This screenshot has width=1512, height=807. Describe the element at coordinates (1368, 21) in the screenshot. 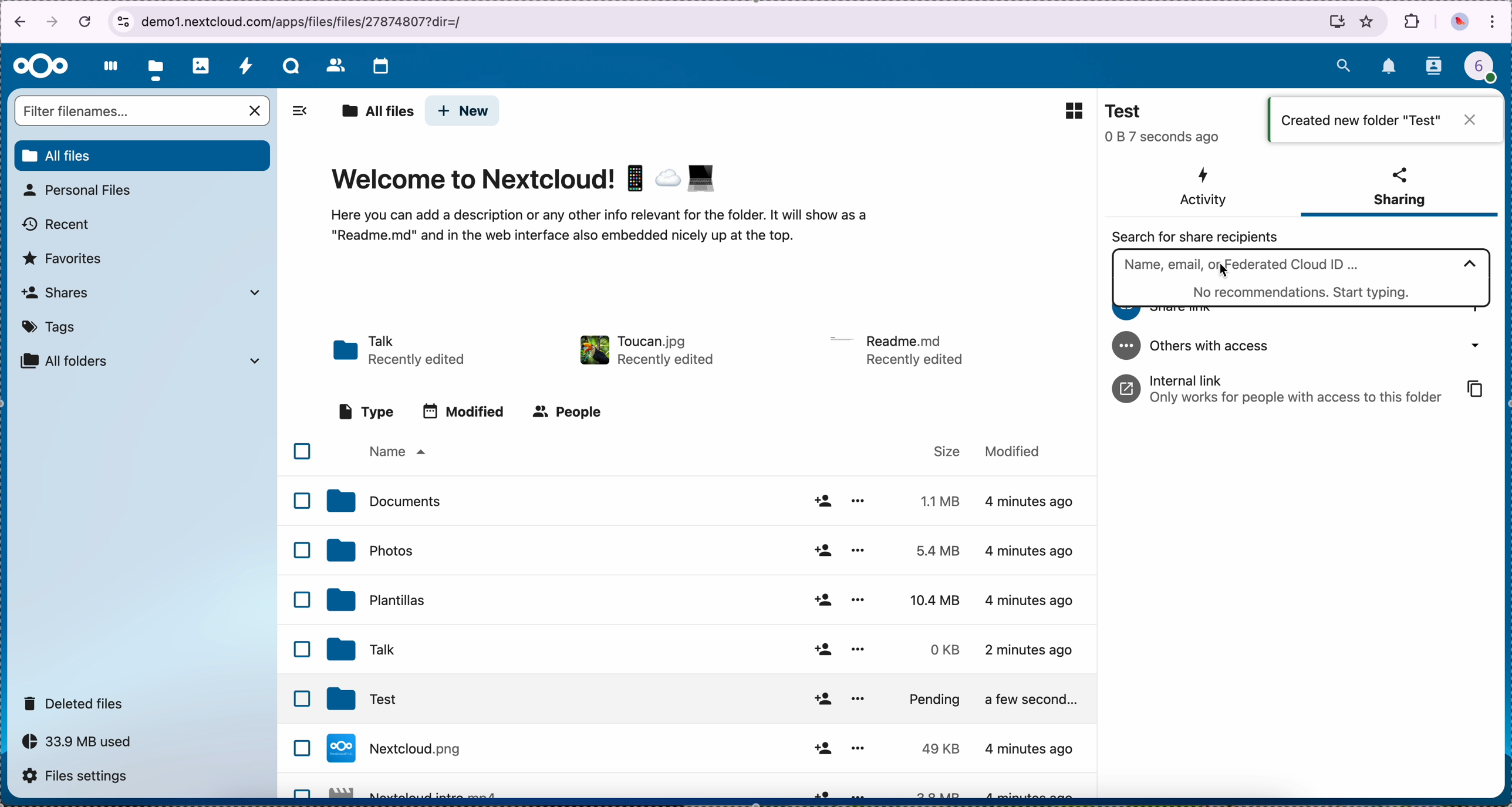

I see `favorites` at that location.